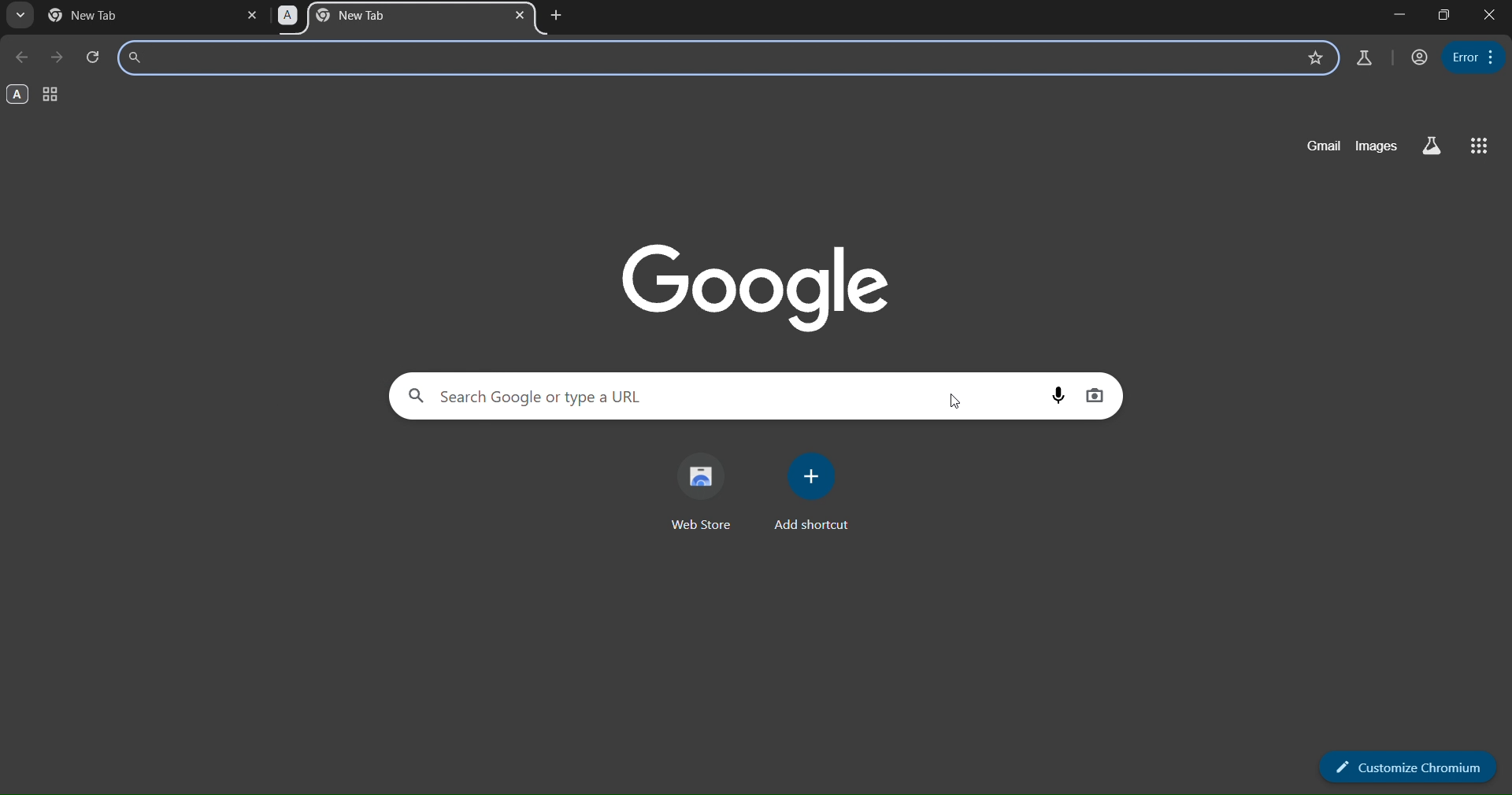 The image size is (1512, 795). Describe the element at coordinates (1400, 14) in the screenshot. I see `minimize` at that location.